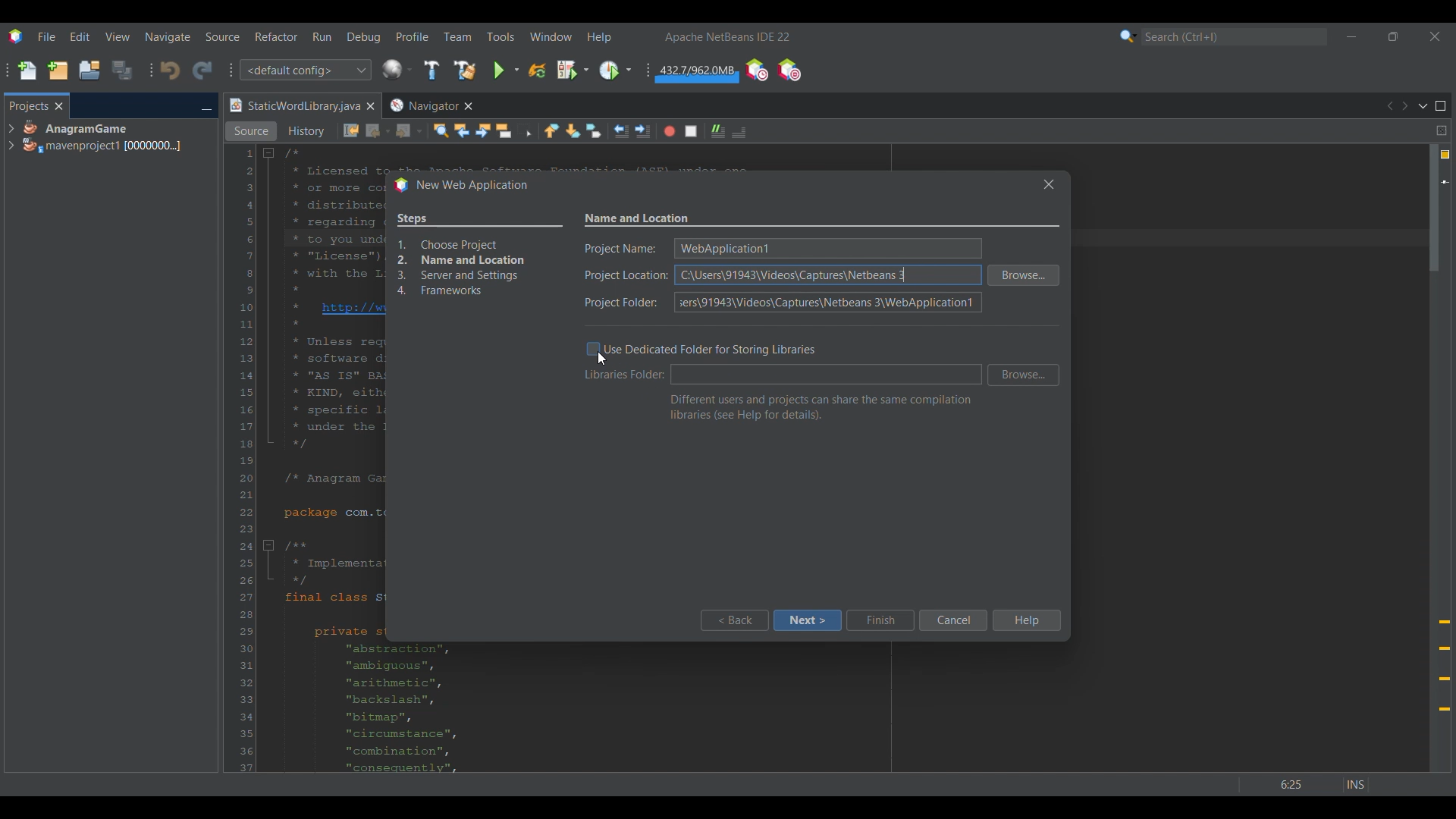  Describe the element at coordinates (1025, 620) in the screenshot. I see `Help` at that location.